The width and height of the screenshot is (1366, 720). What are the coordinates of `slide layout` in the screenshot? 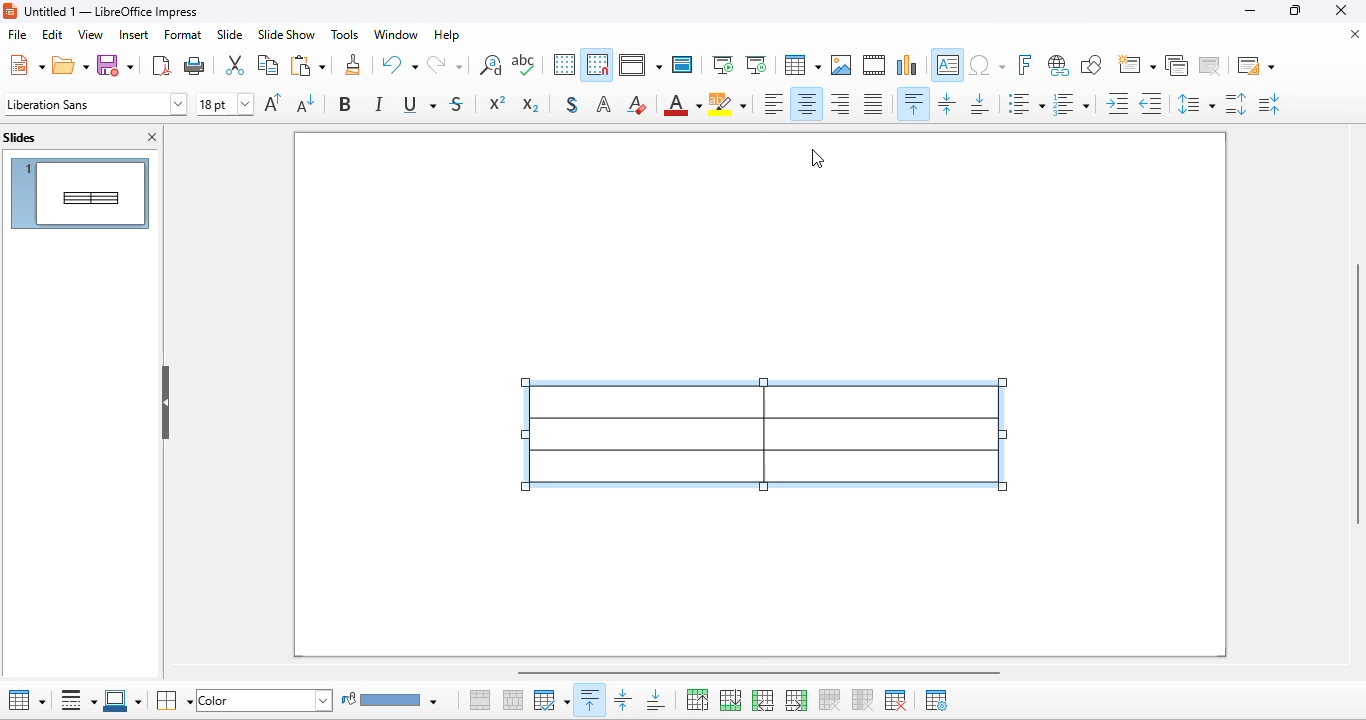 It's located at (1257, 65).